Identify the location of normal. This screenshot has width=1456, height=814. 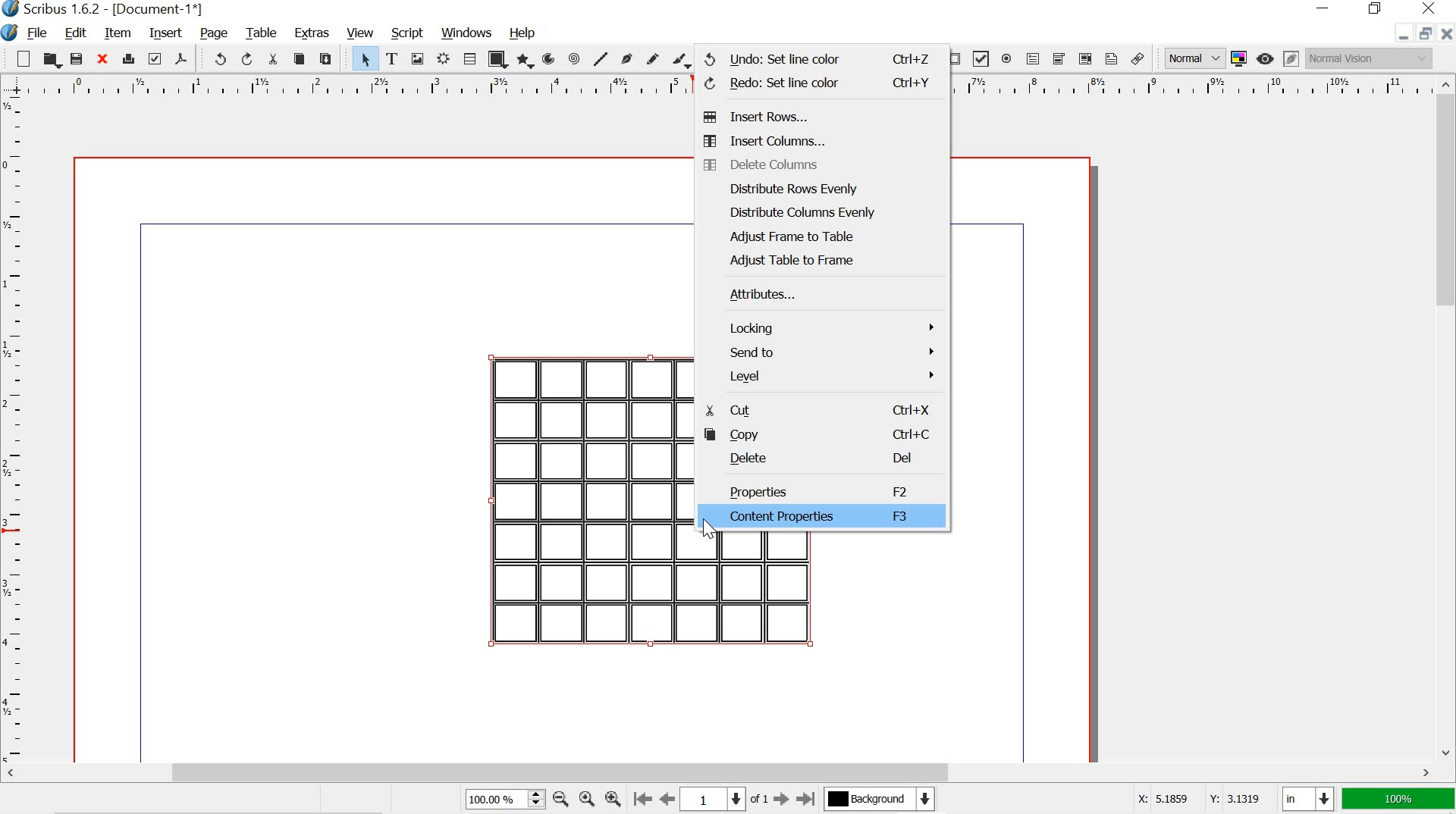
(1189, 56).